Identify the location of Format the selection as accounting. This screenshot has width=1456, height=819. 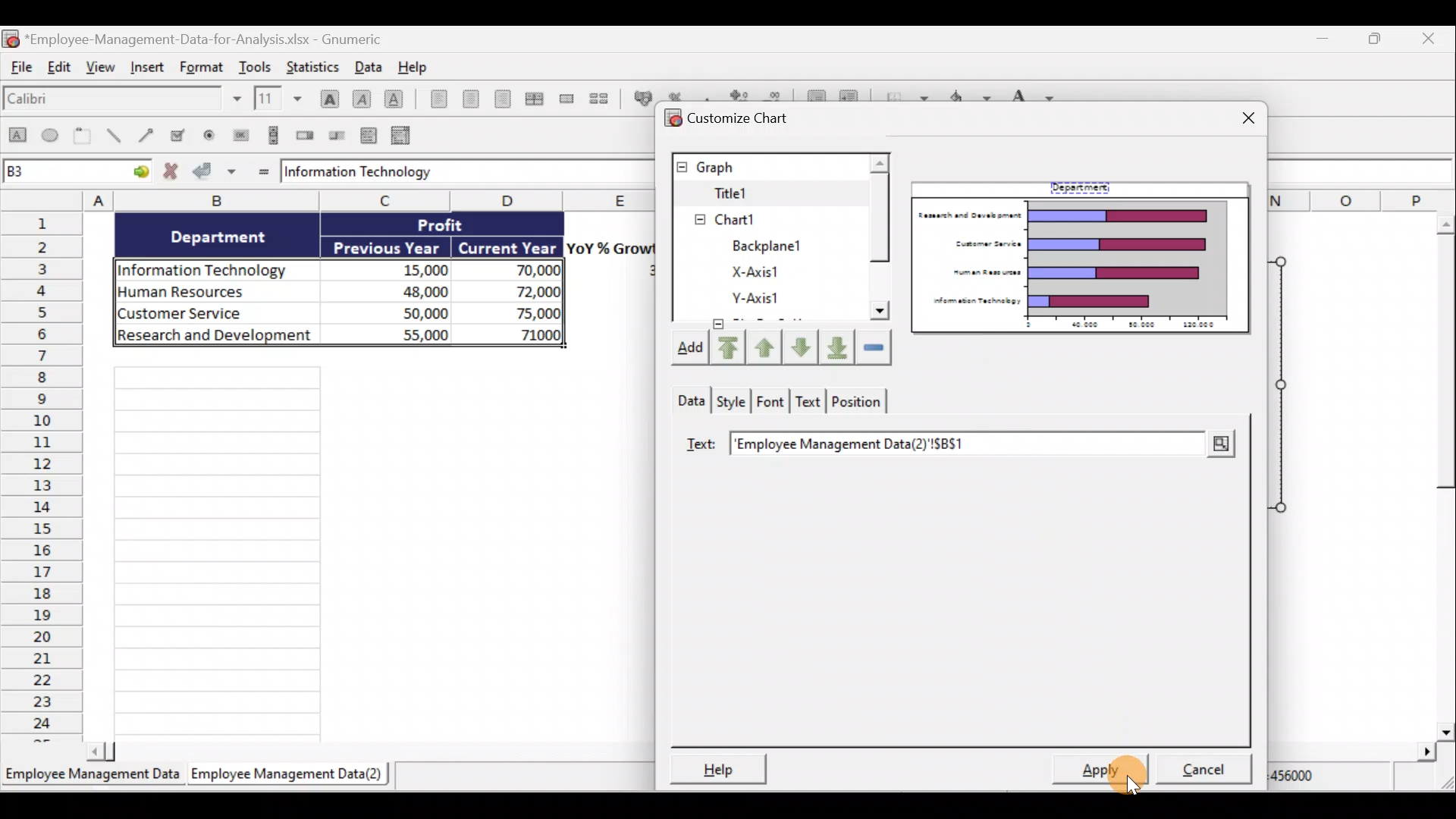
(642, 99).